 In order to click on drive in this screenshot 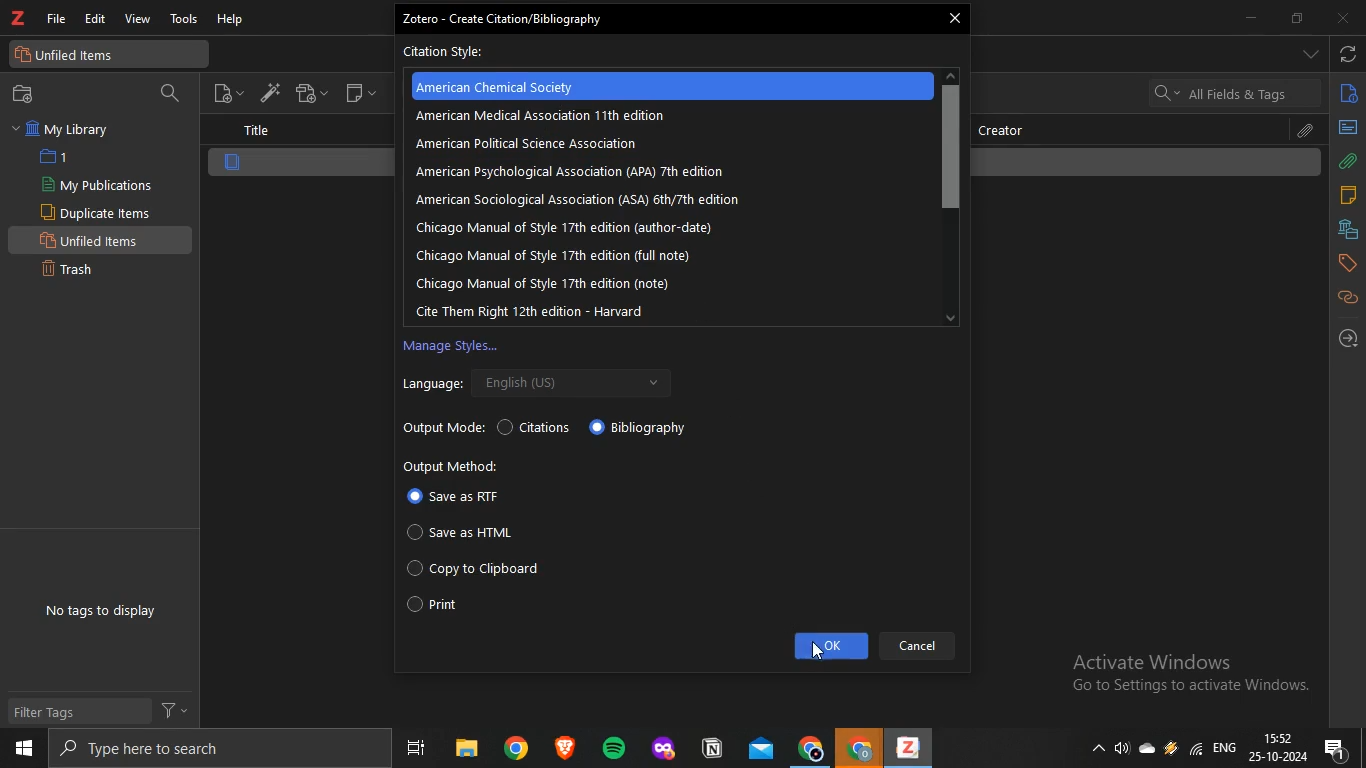, I will do `click(1171, 747)`.